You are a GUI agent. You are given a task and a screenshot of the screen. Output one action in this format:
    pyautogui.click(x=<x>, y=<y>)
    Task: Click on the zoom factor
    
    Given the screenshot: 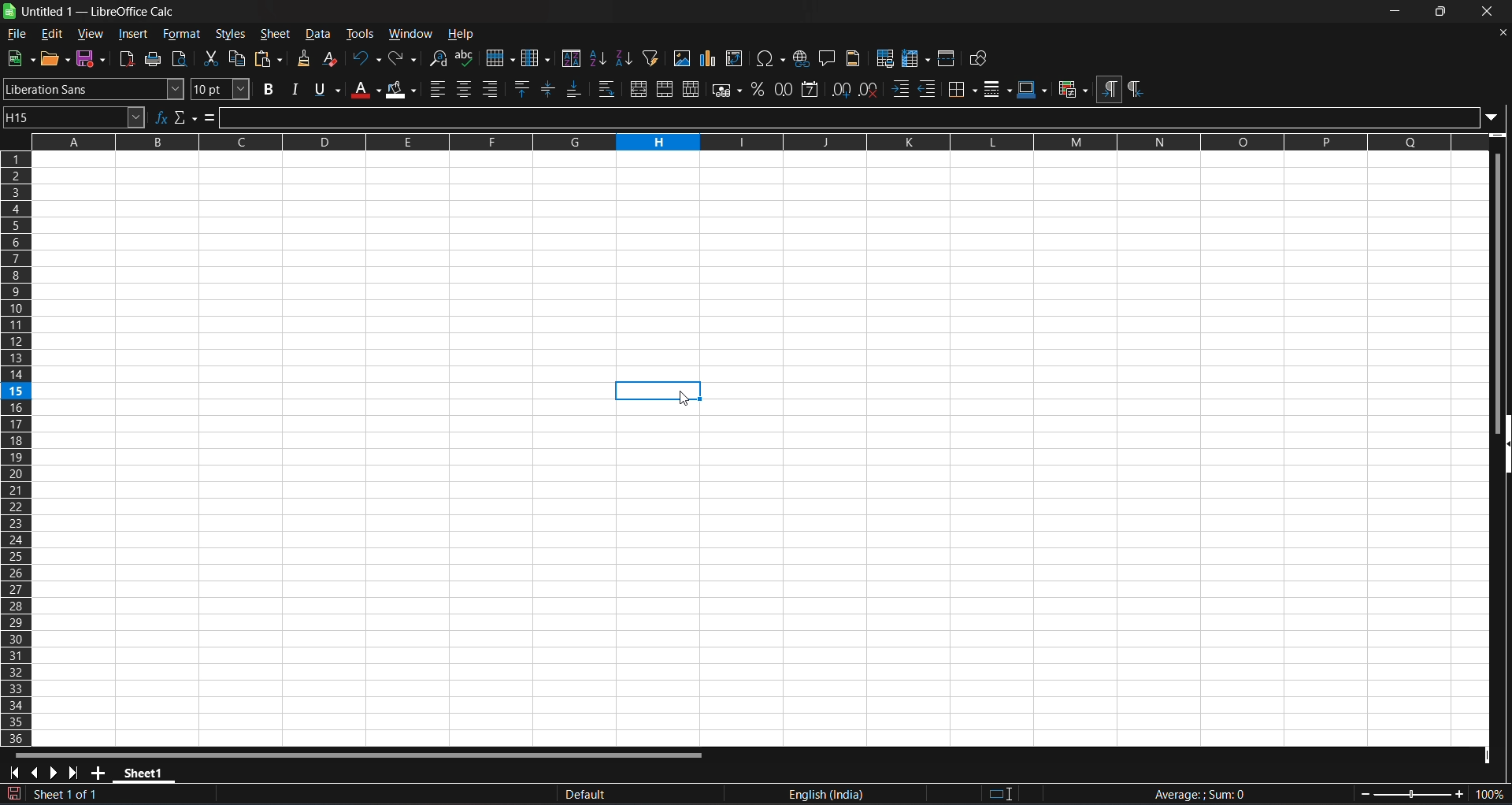 What is the action you would take?
    pyautogui.click(x=1432, y=793)
    